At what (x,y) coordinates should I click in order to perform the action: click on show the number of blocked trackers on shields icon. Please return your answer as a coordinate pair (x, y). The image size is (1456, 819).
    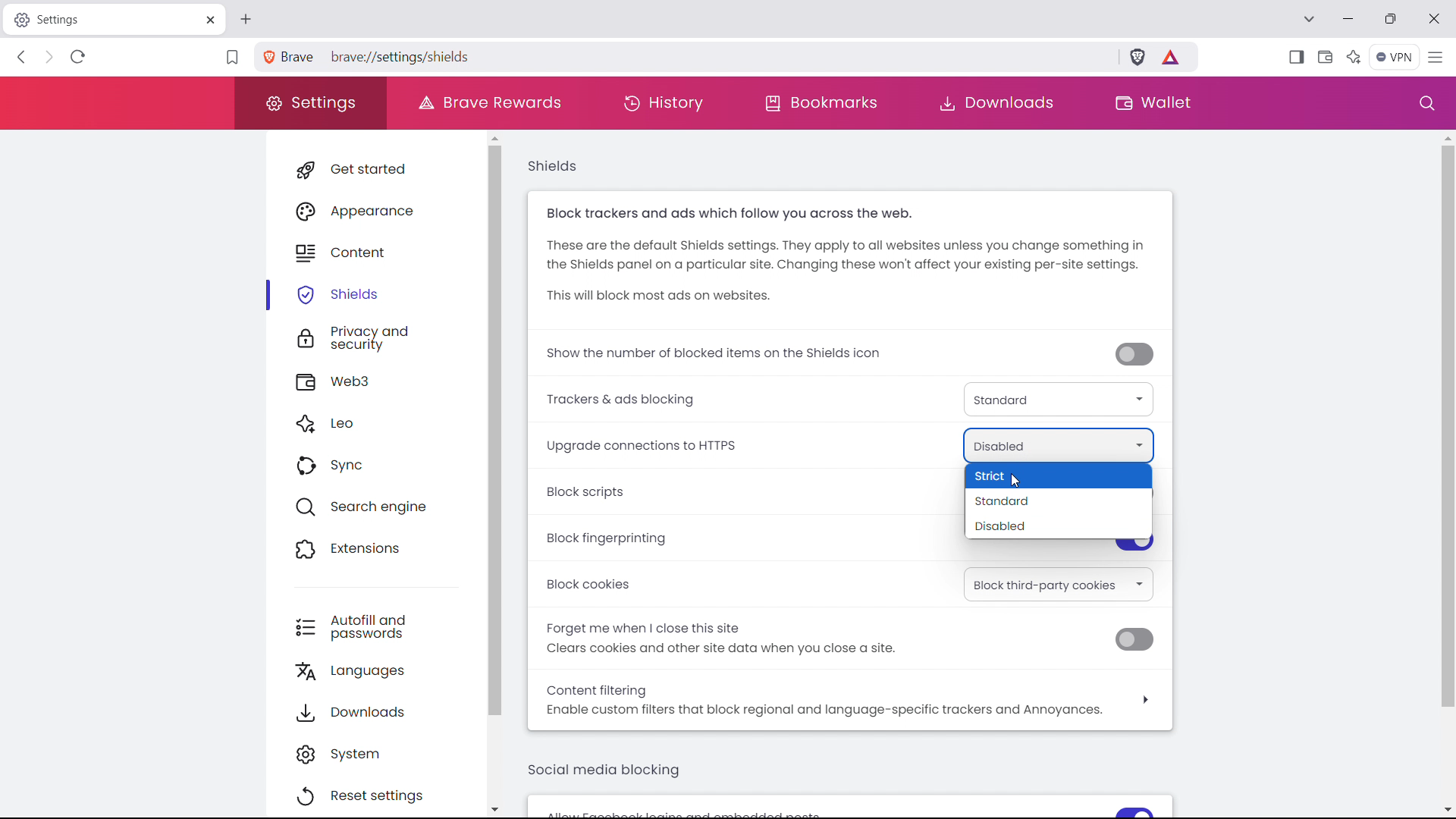
    Looking at the image, I should click on (716, 353).